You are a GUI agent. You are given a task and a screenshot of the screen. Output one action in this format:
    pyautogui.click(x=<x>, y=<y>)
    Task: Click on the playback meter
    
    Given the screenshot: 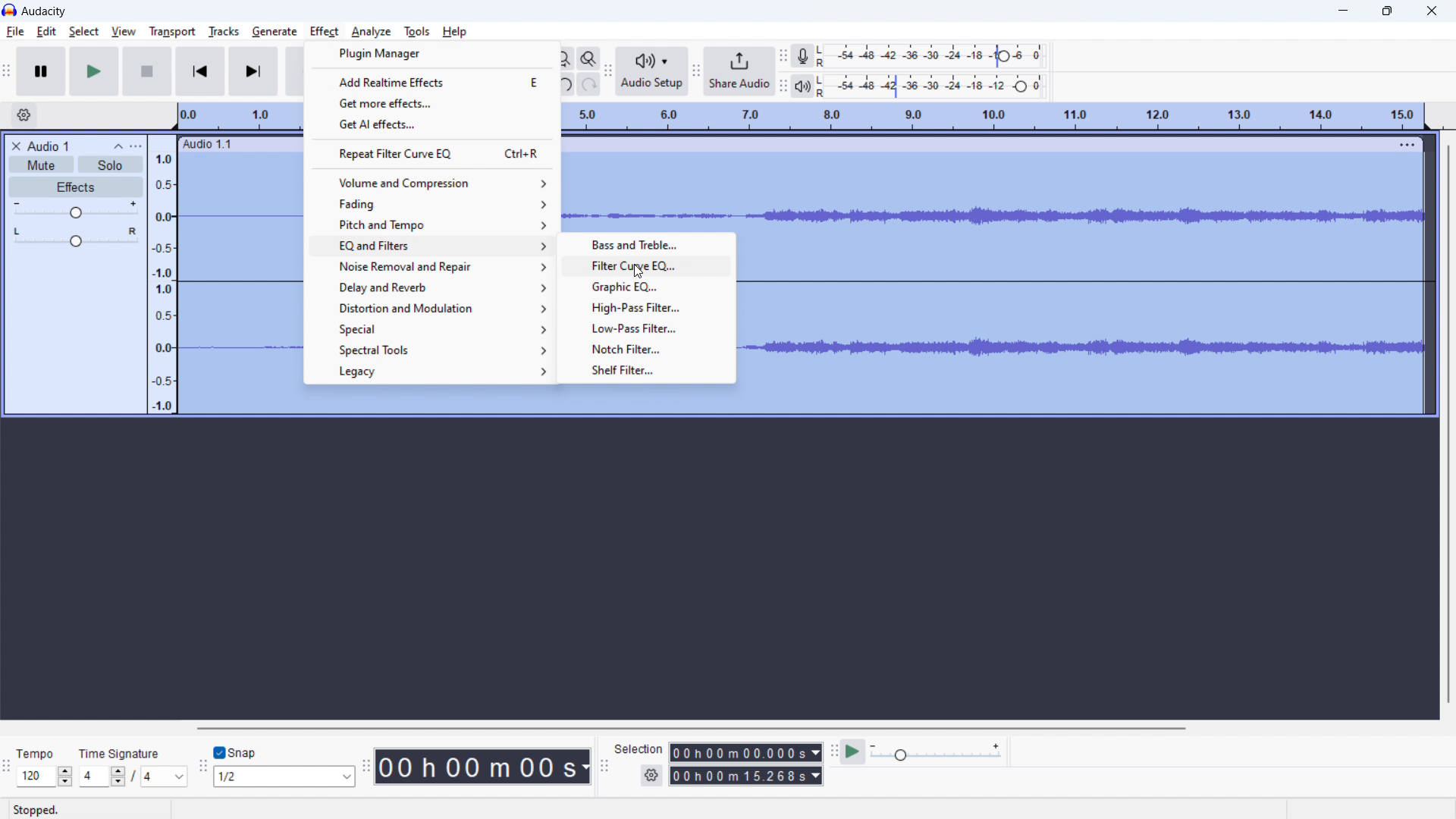 What is the action you would take?
    pyautogui.click(x=807, y=85)
    